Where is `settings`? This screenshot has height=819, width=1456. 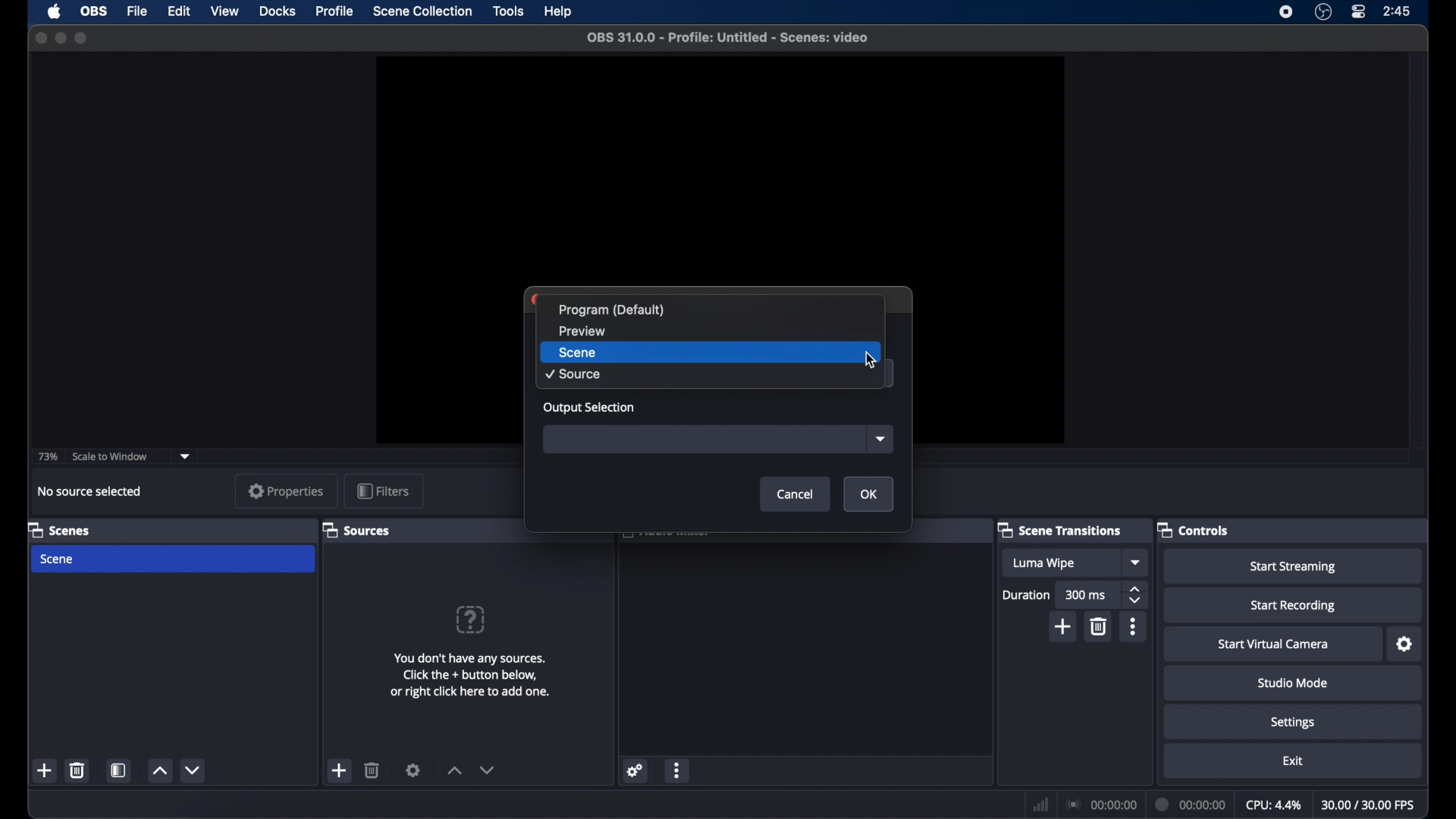
settings is located at coordinates (1293, 723).